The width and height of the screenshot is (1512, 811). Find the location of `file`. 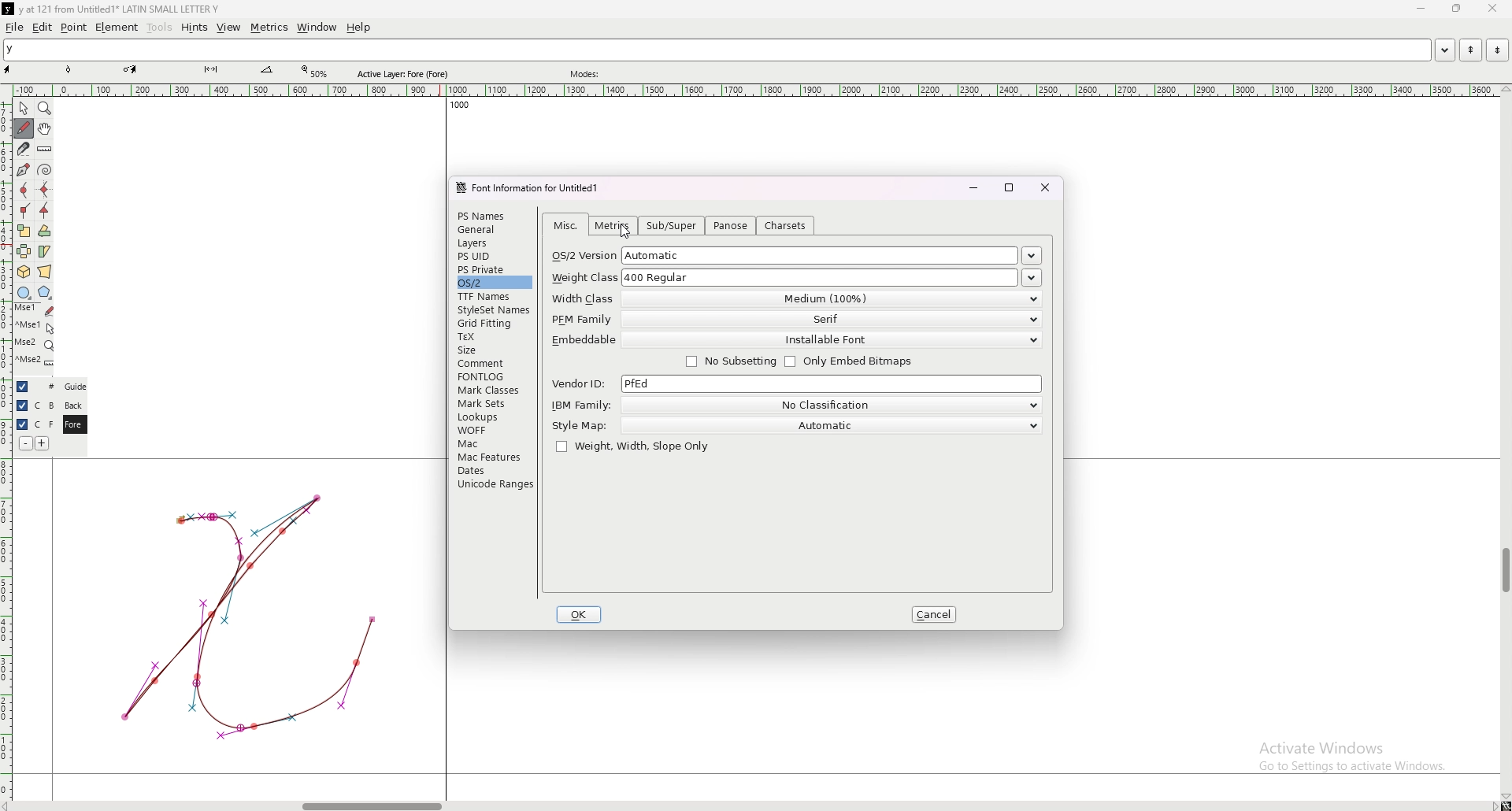

file is located at coordinates (15, 27).